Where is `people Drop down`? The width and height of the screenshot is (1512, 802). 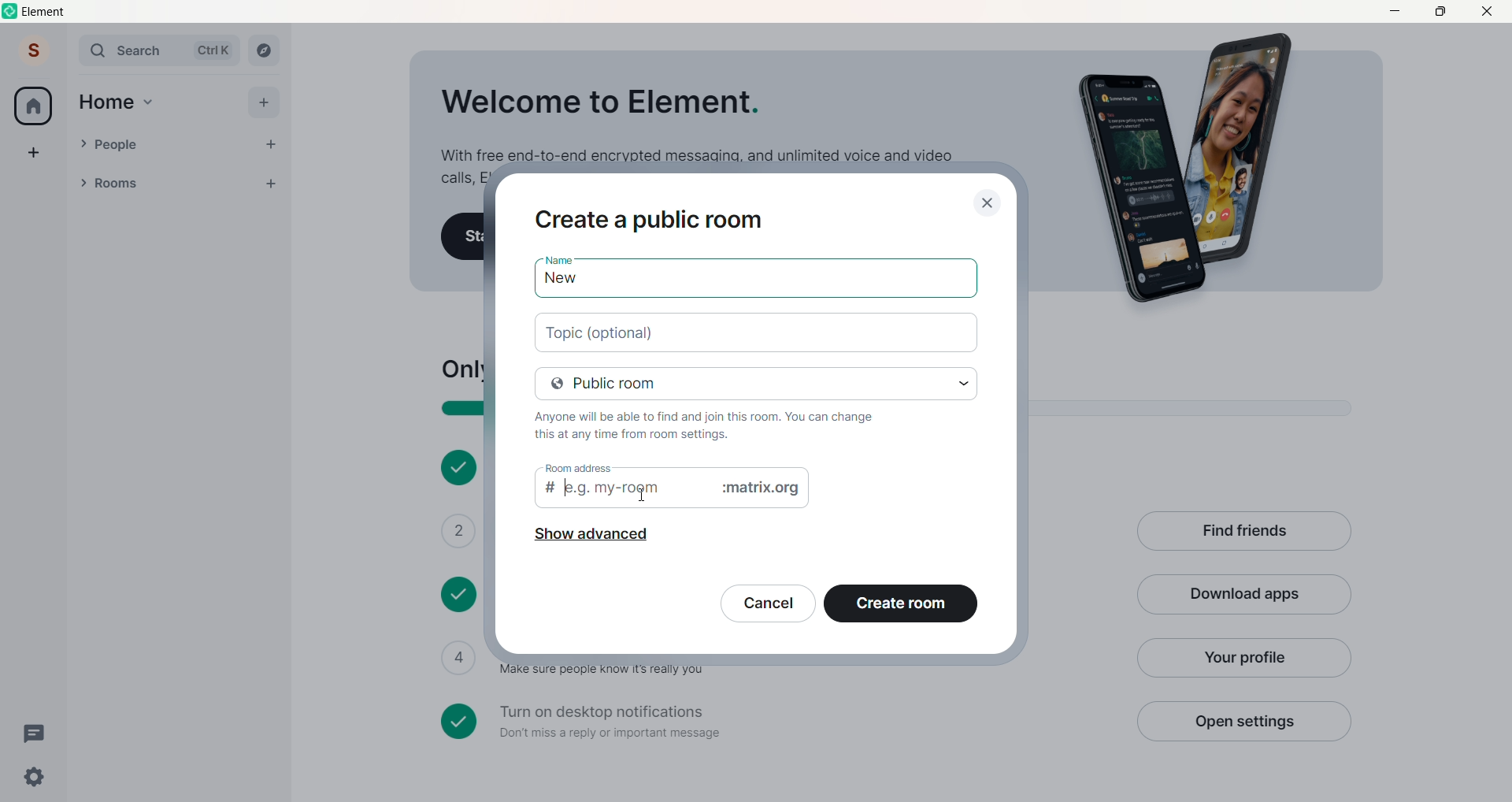
people Drop down is located at coordinates (83, 143).